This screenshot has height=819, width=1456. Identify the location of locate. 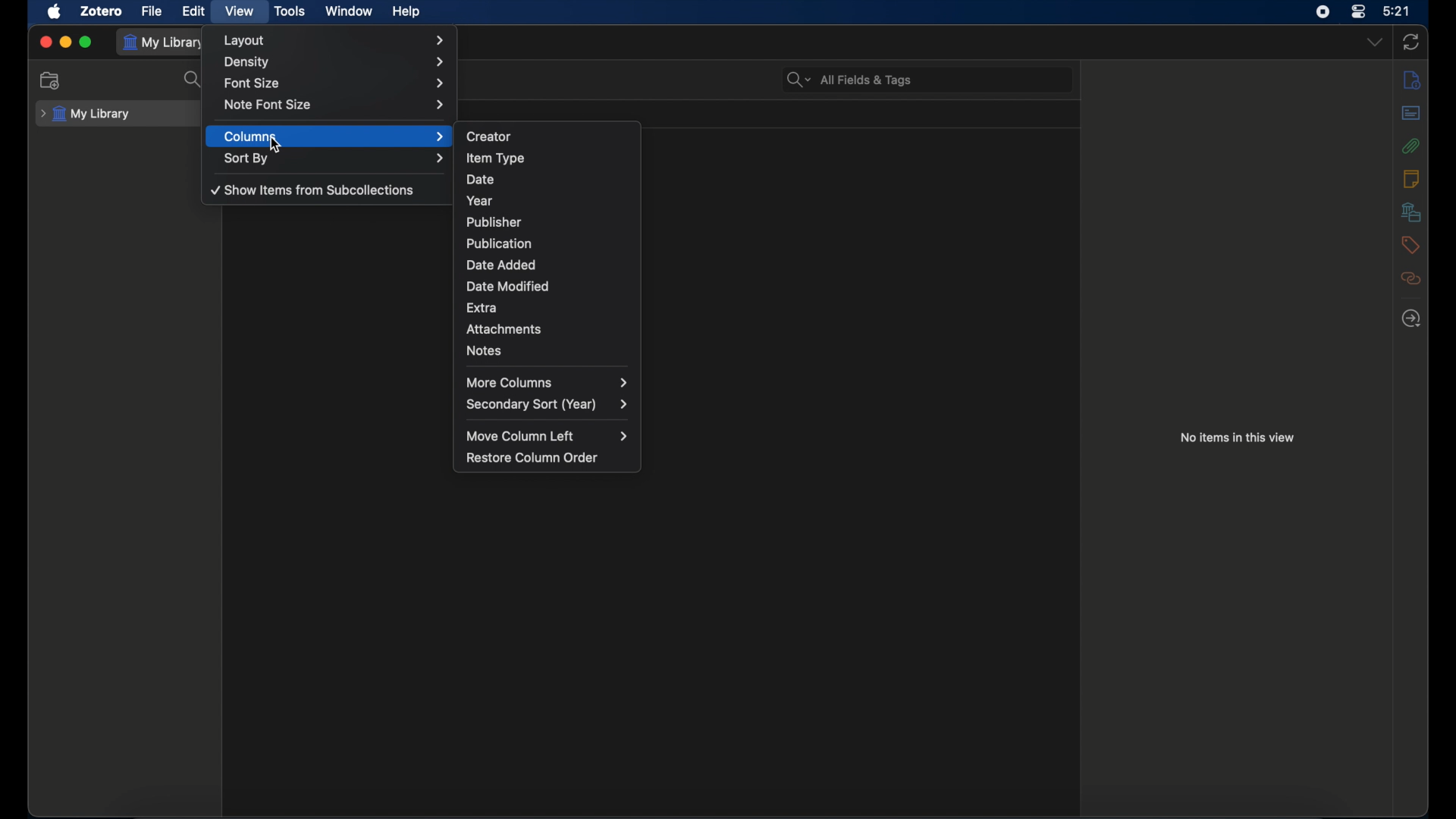
(1411, 319).